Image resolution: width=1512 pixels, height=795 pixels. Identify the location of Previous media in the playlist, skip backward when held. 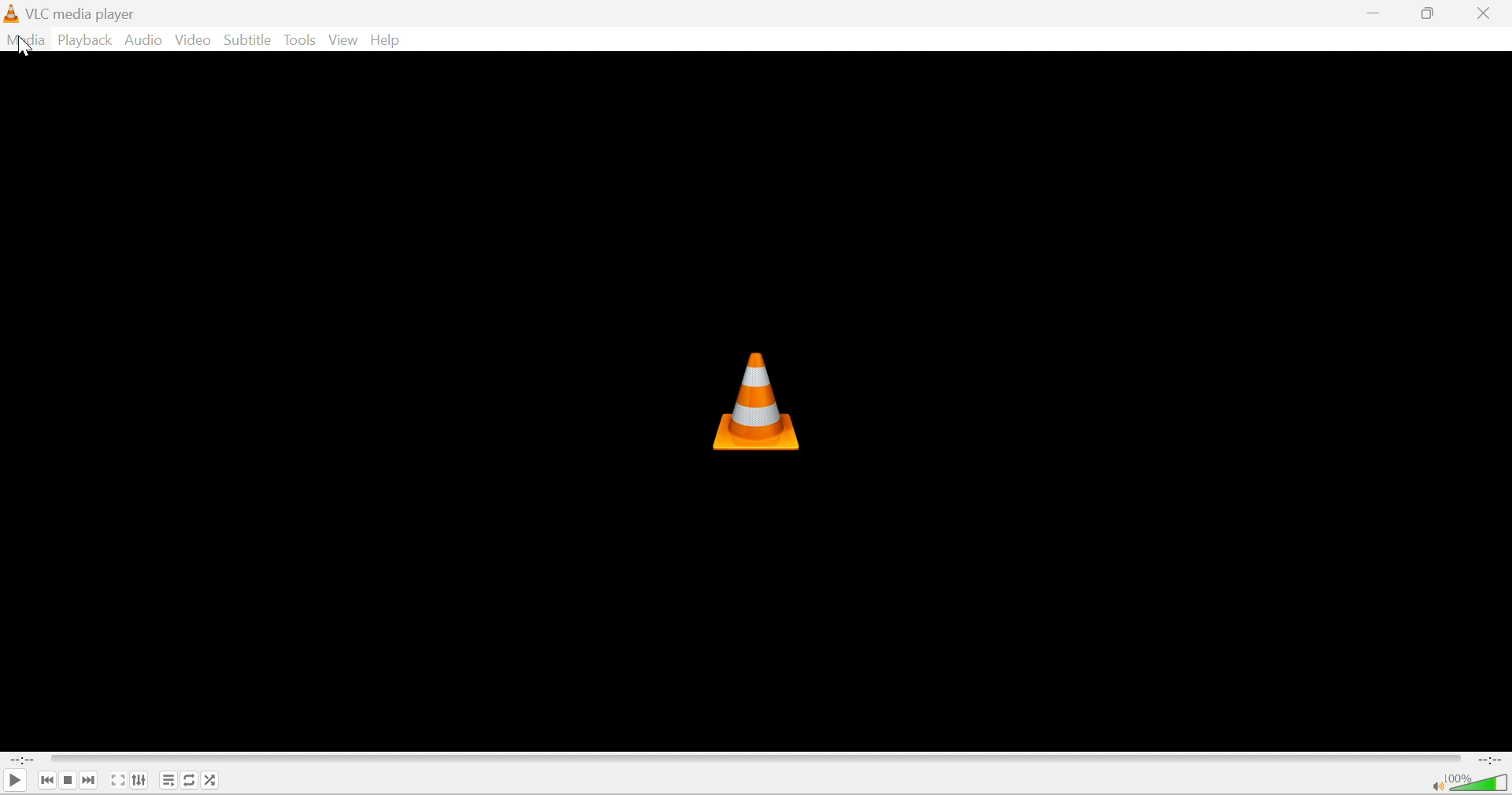
(46, 782).